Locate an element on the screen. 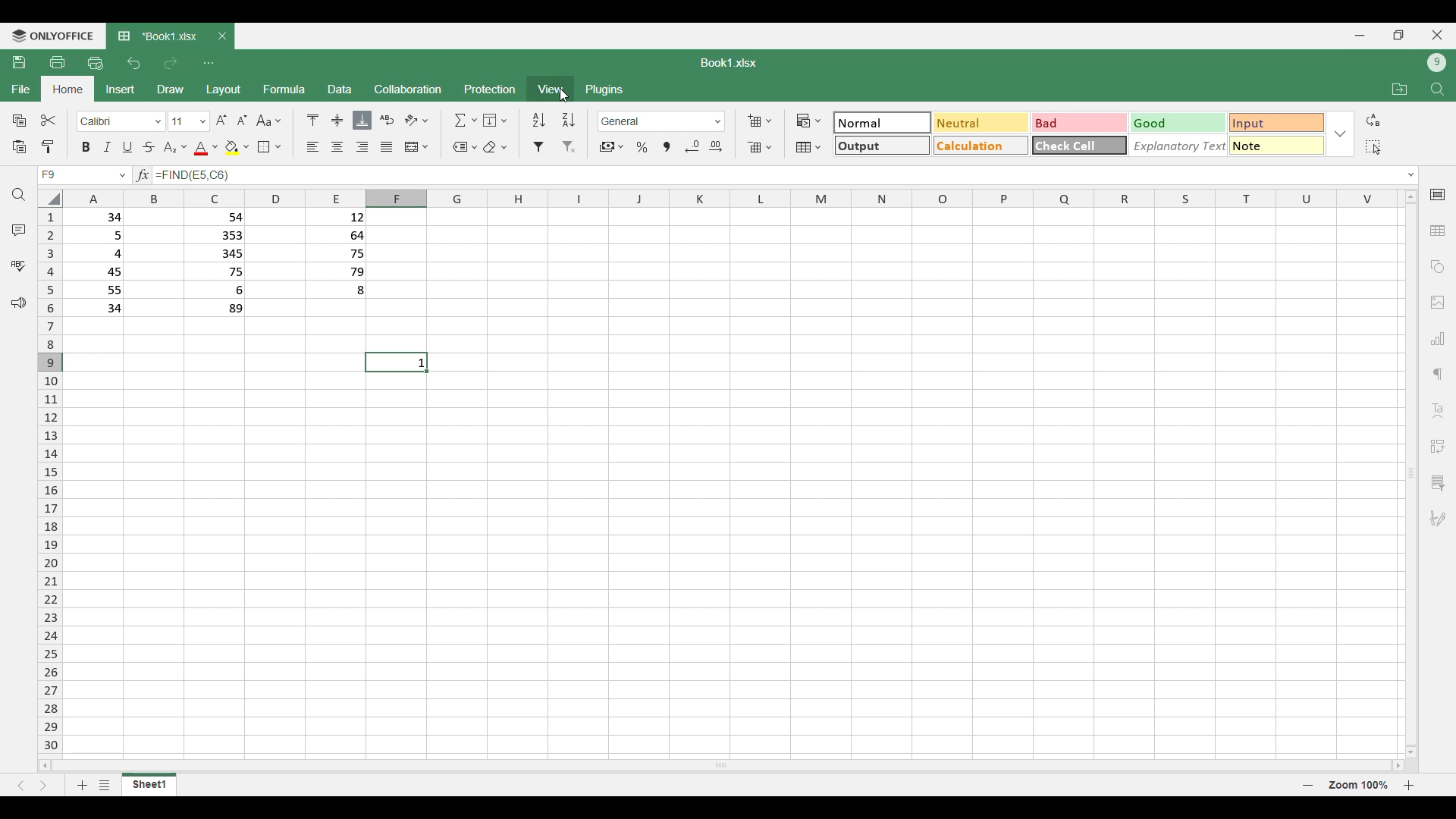 Image resolution: width=1456 pixels, height=819 pixels. Undo is located at coordinates (135, 64).